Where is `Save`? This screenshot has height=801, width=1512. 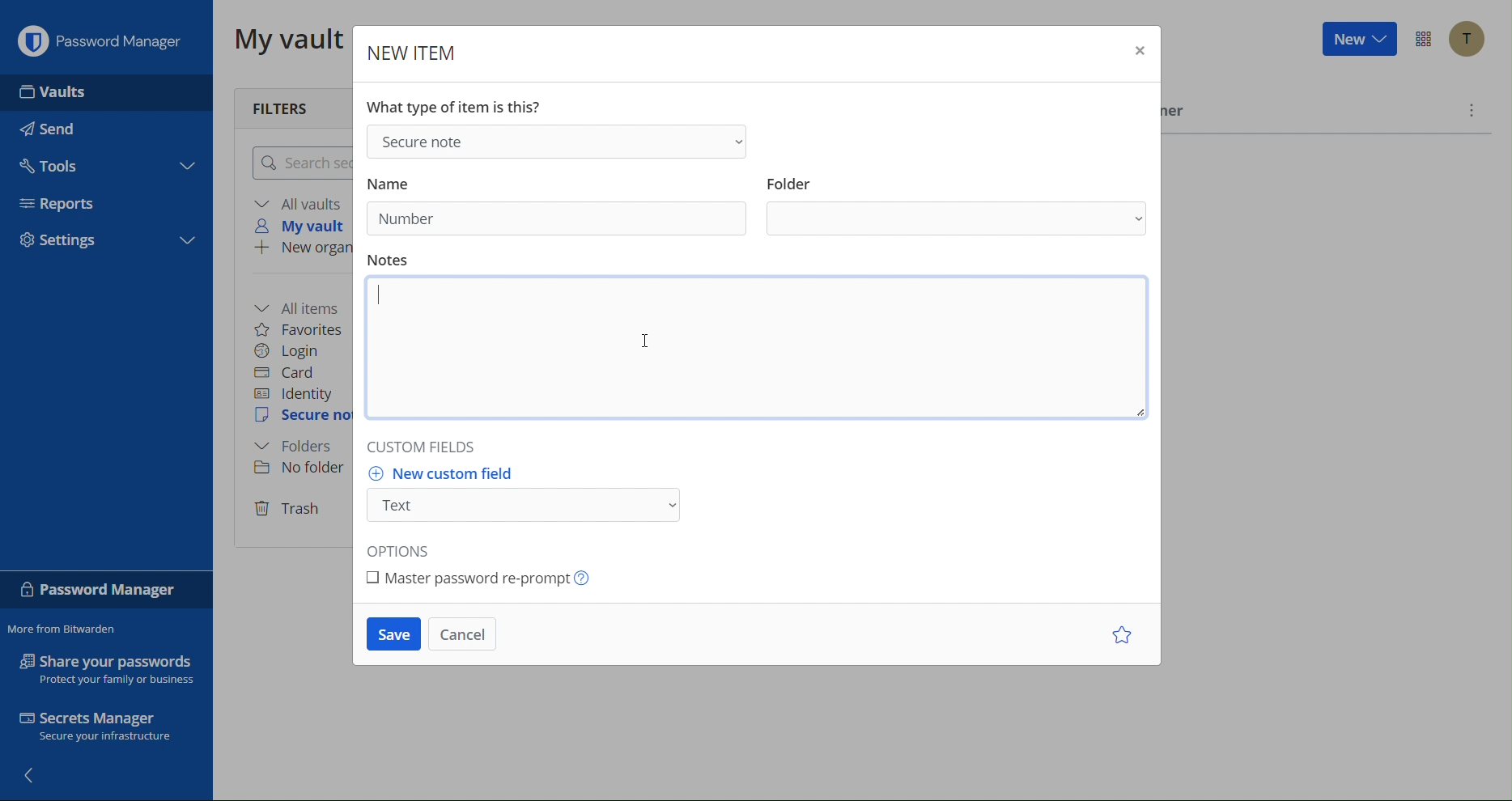
Save is located at coordinates (393, 638).